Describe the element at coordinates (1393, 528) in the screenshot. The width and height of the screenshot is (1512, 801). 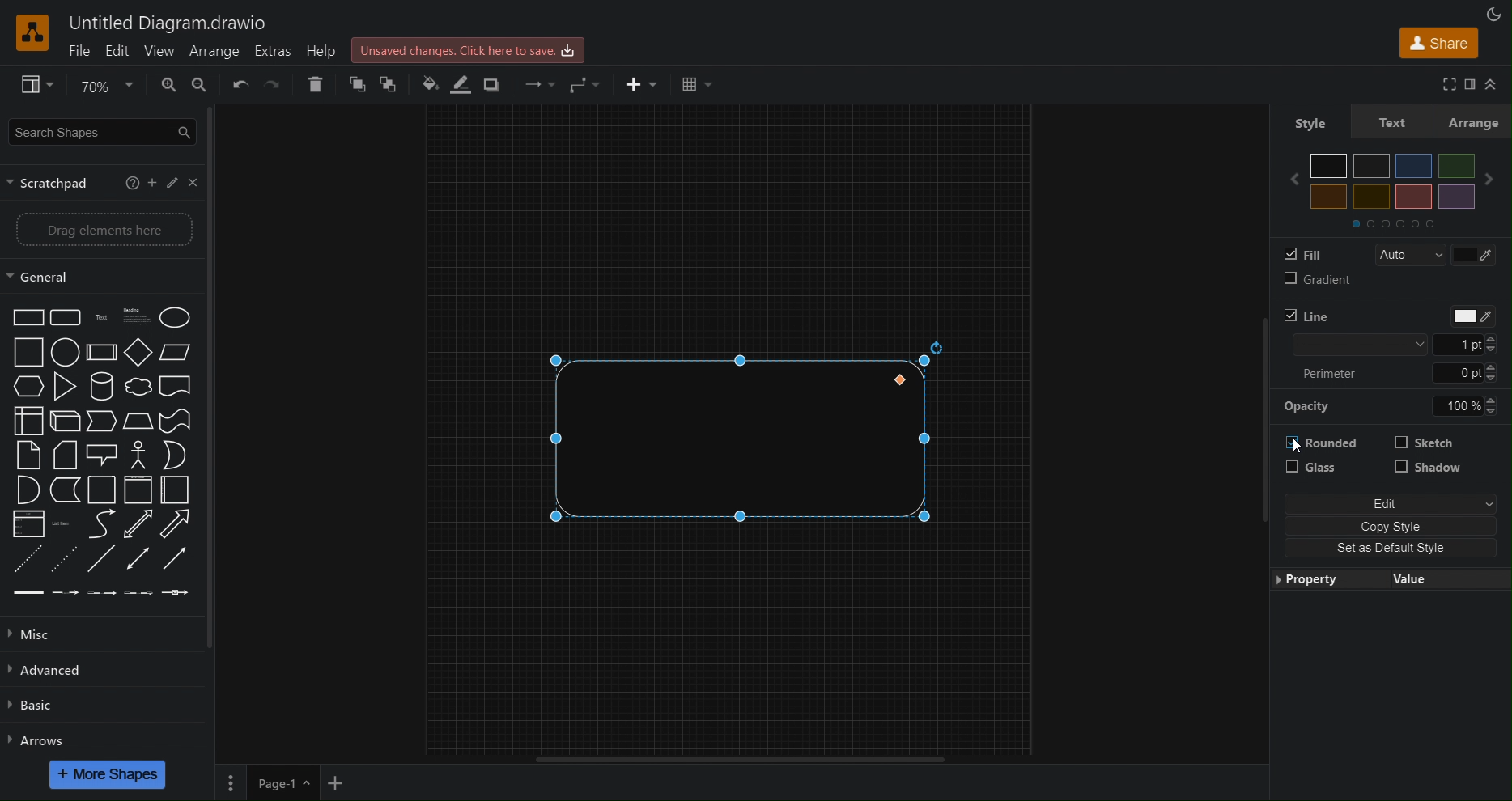
I see `Copy Style` at that location.